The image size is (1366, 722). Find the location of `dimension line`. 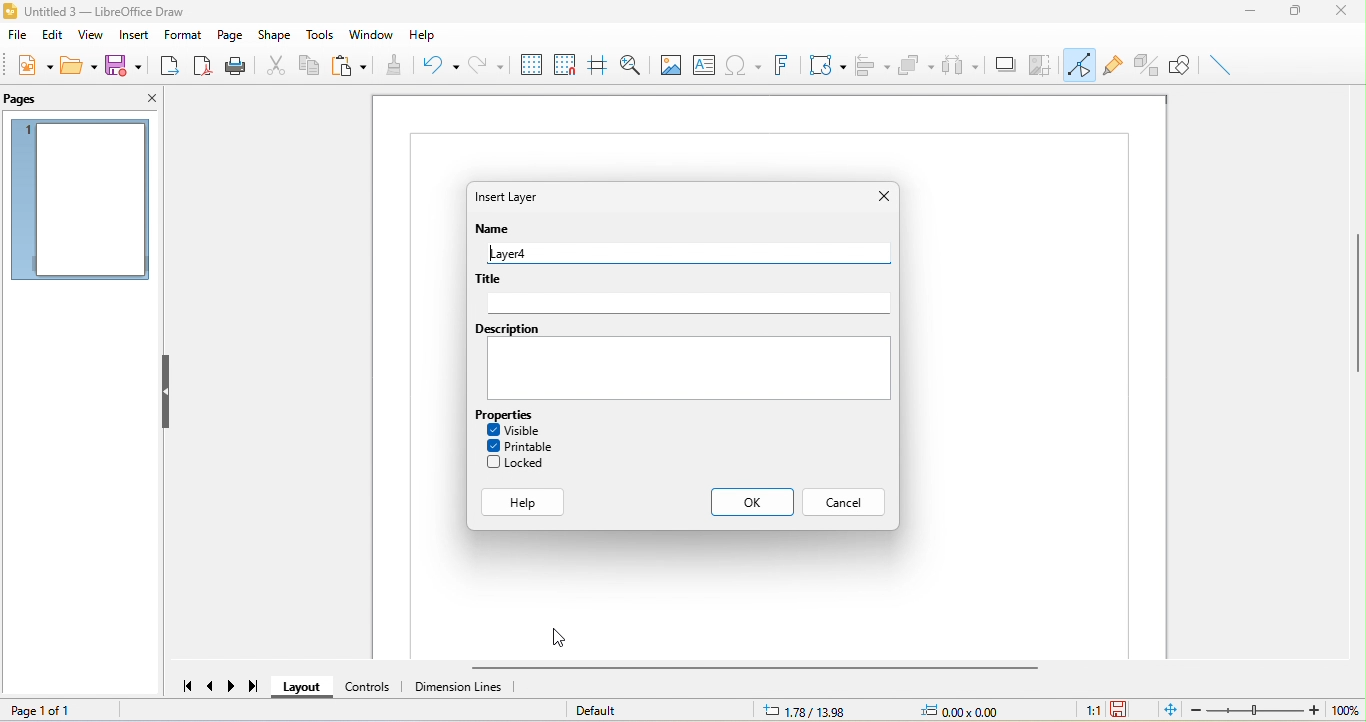

dimension line is located at coordinates (469, 689).